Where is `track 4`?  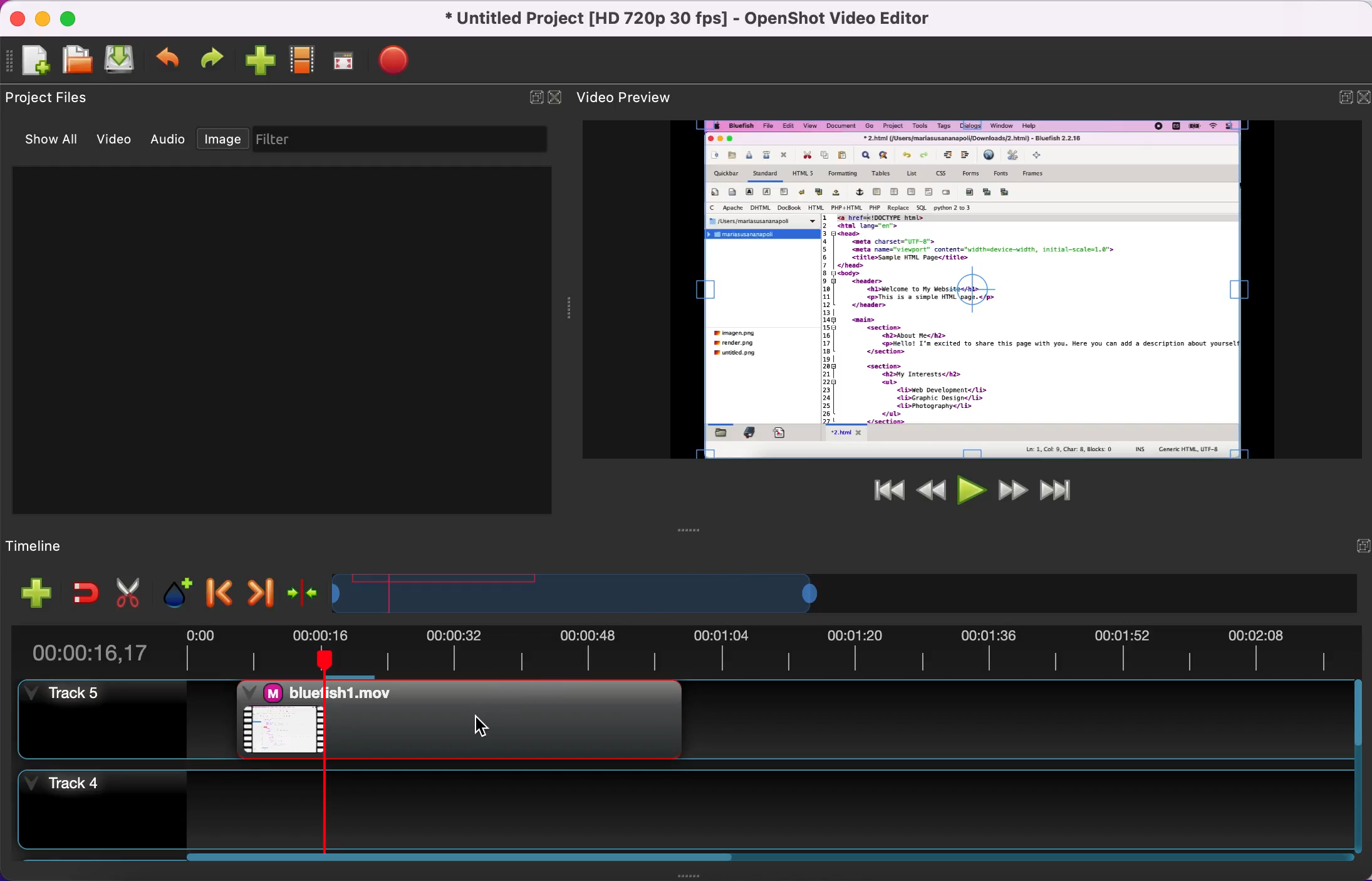
track 4 is located at coordinates (679, 804).